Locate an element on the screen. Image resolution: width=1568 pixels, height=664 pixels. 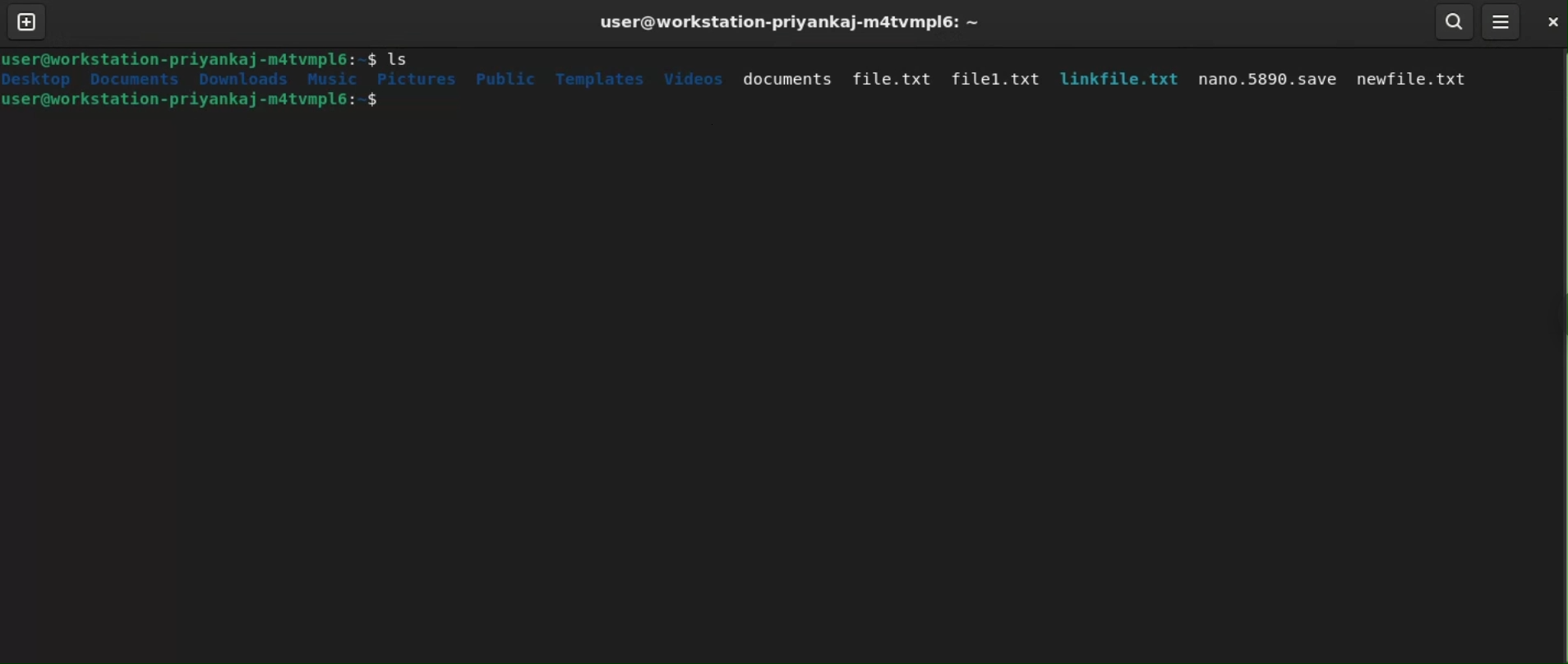
menu is located at coordinates (1500, 21).